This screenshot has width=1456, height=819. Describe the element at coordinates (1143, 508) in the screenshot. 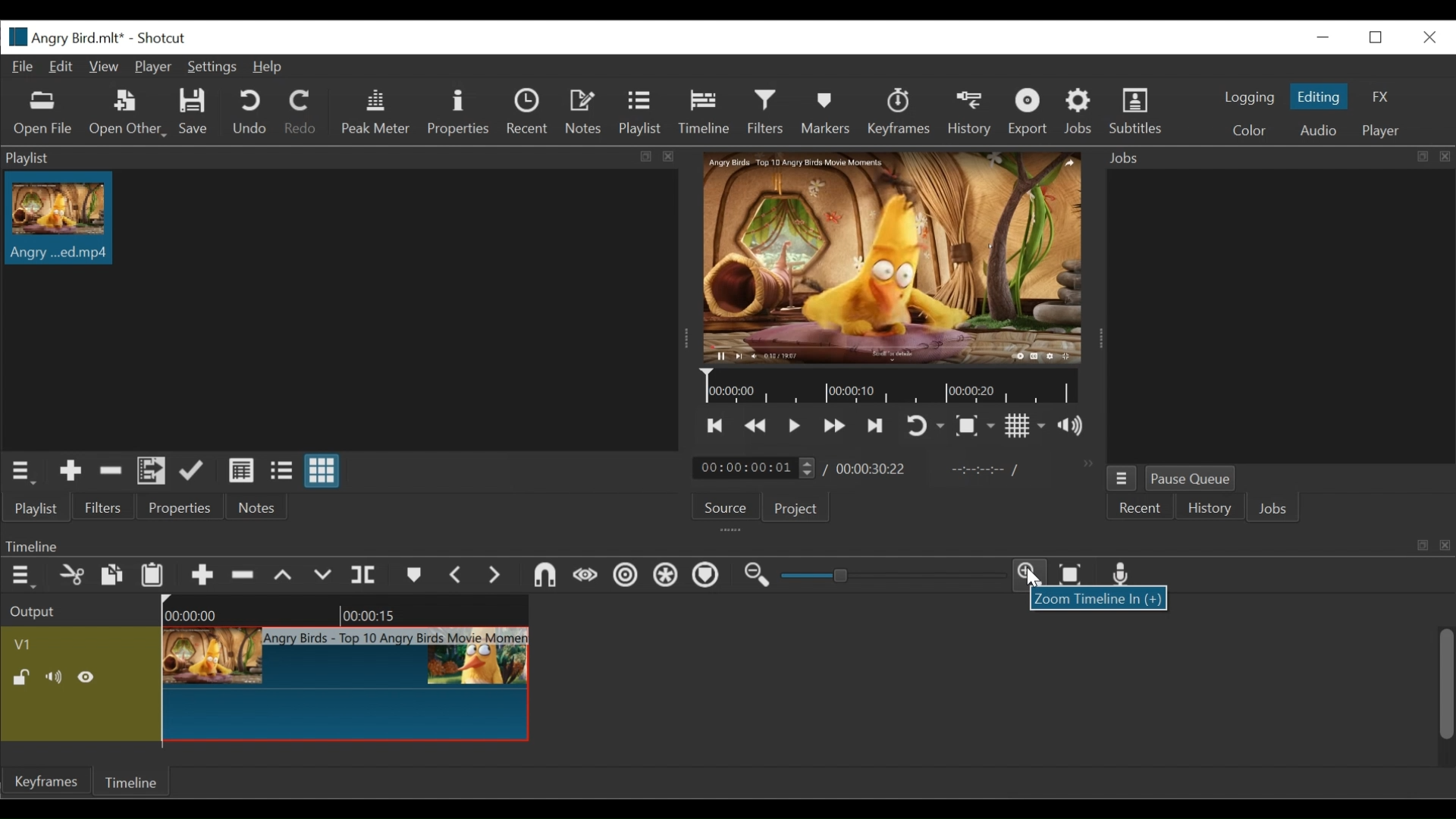

I see `Recent` at that location.